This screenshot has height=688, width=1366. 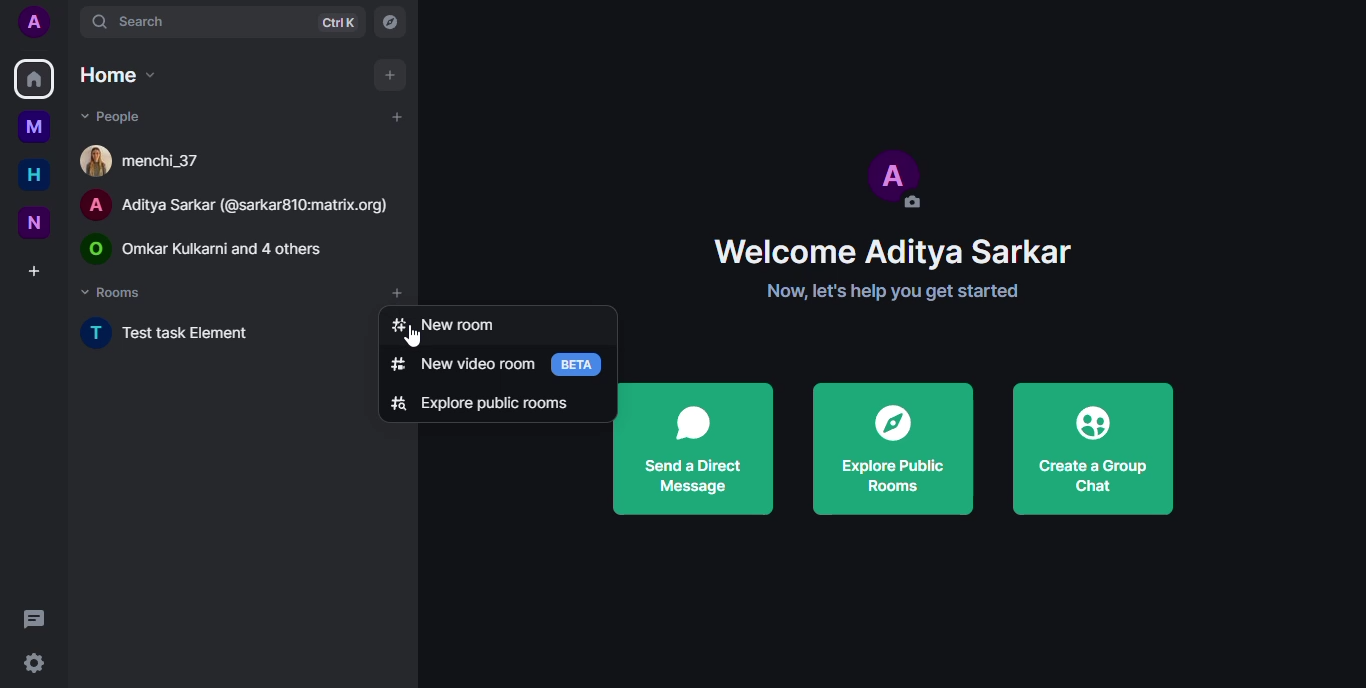 What do you see at coordinates (115, 291) in the screenshot?
I see `rooms` at bounding box center [115, 291].